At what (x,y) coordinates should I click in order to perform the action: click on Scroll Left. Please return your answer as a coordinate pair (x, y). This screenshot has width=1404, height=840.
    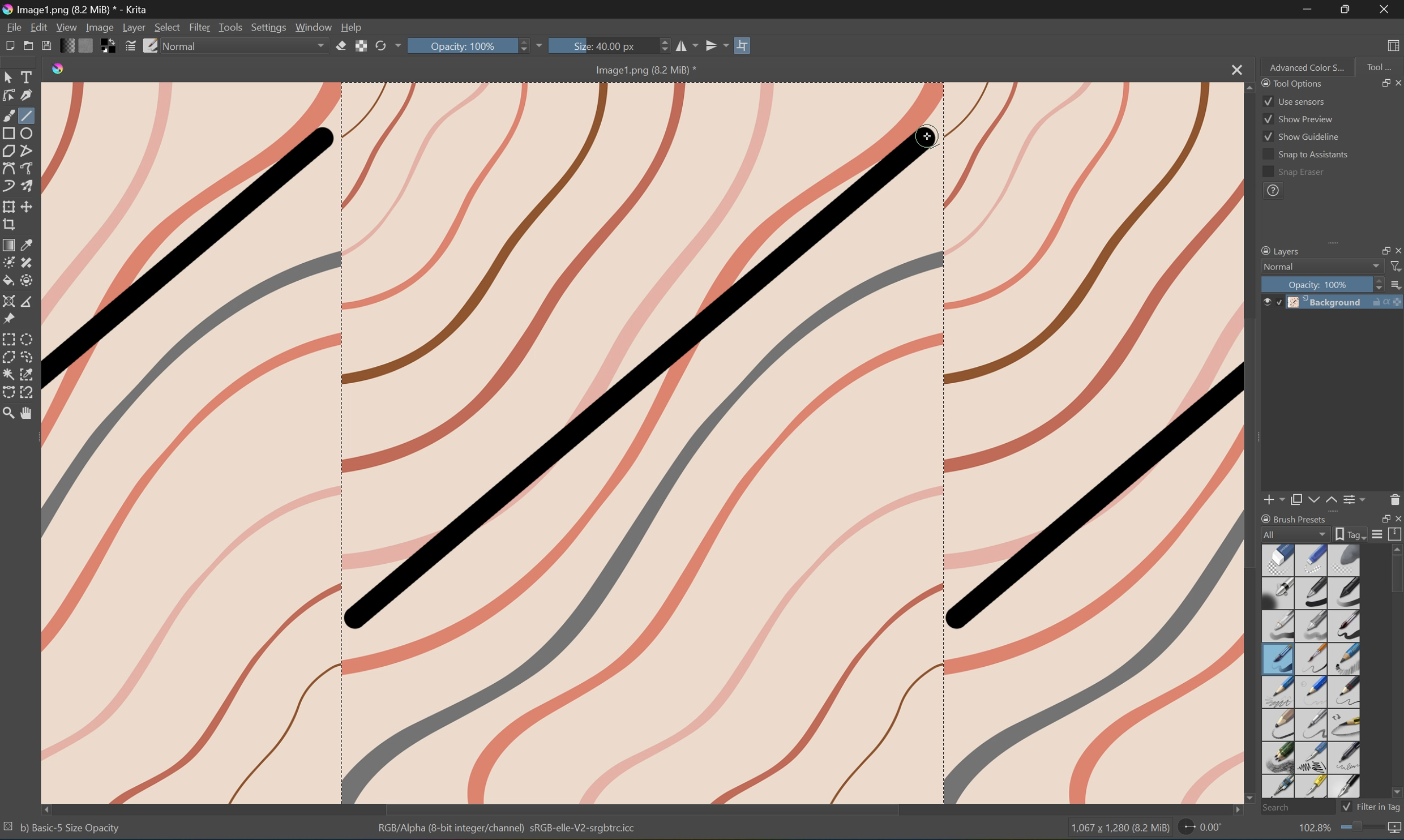
    Looking at the image, I should click on (1266, 234).